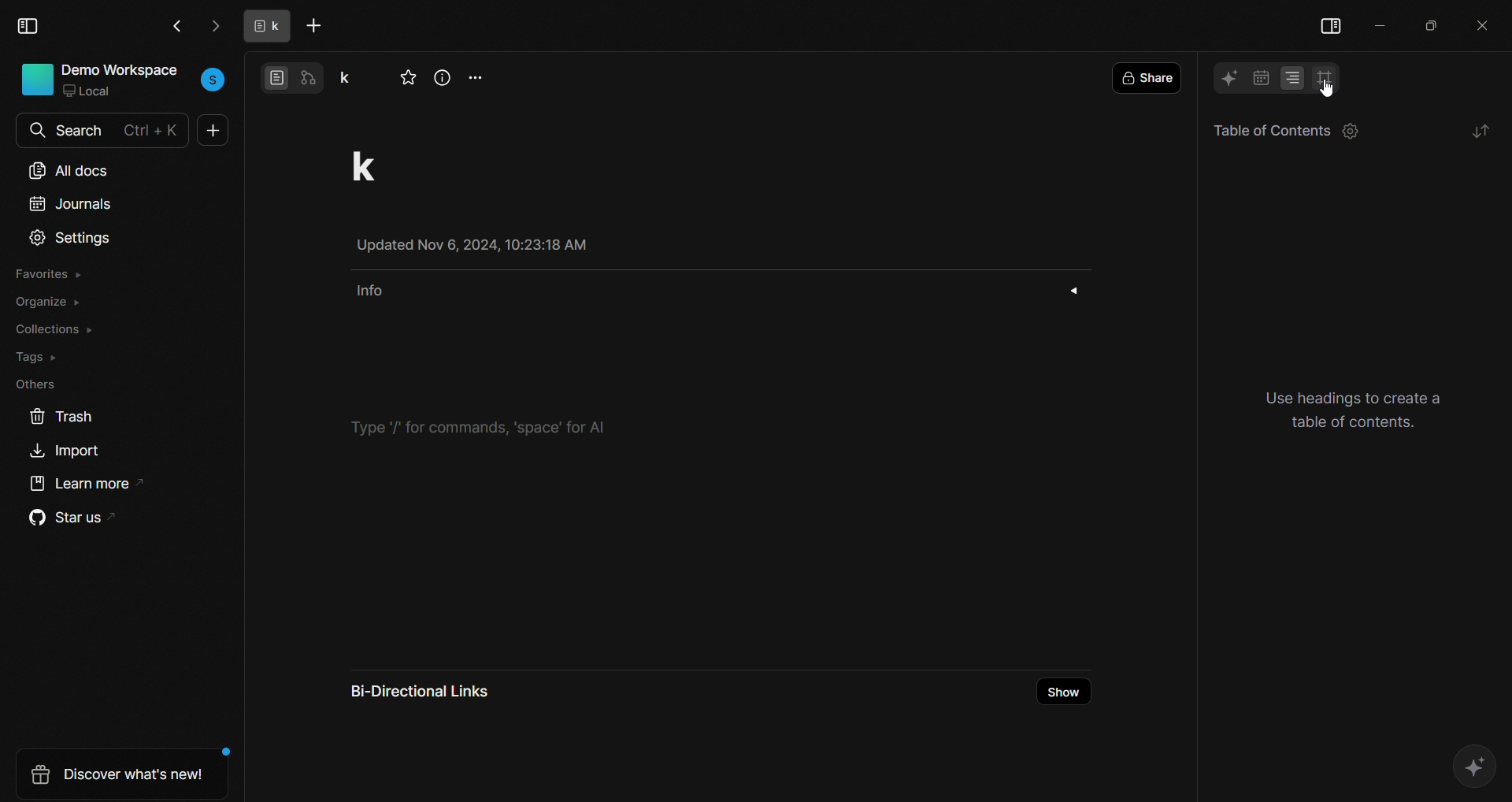  I want to click on close, so click(1483, 23).